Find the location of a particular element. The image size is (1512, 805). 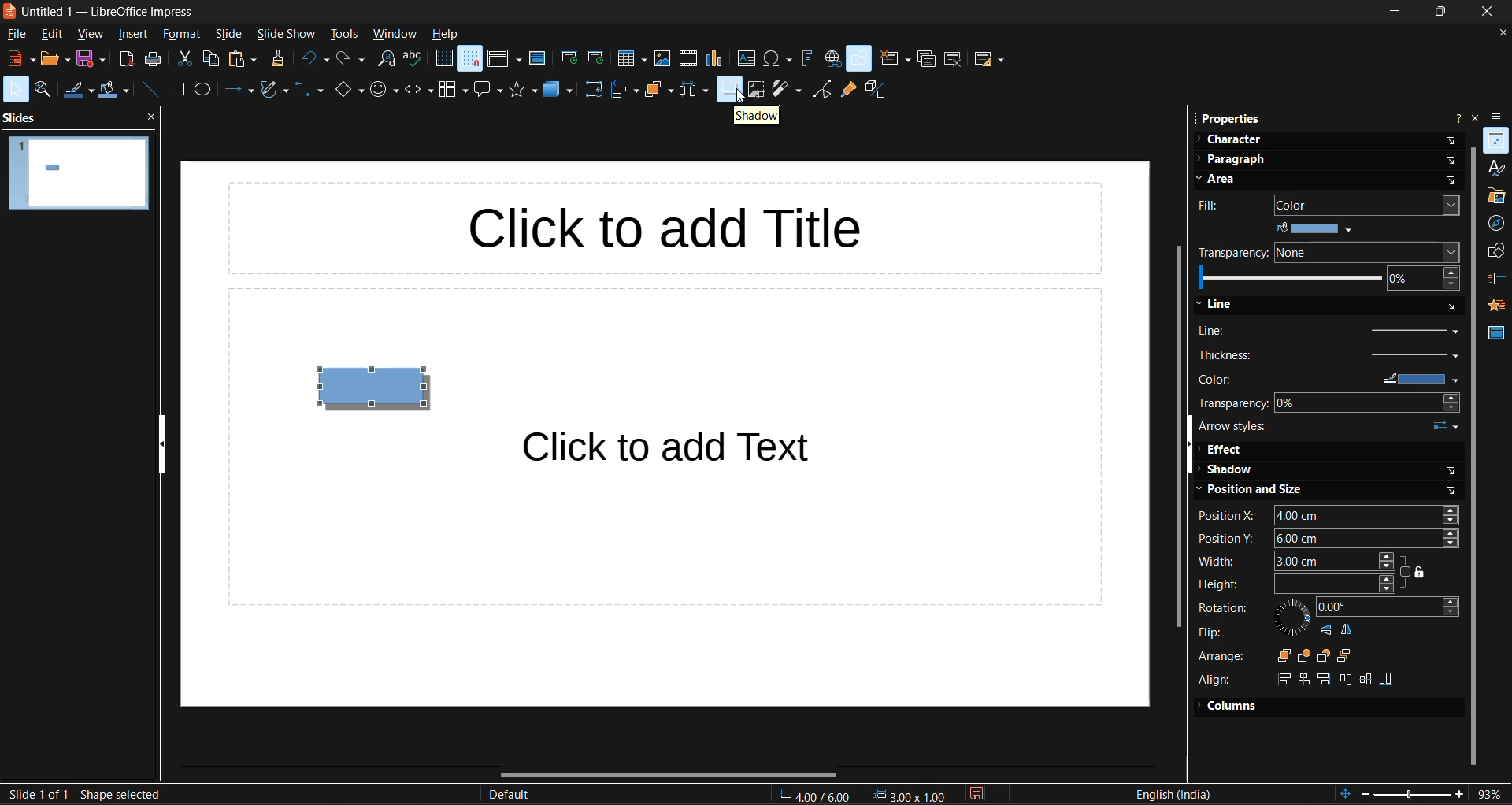

centered is located at coordinates (1304, 679).